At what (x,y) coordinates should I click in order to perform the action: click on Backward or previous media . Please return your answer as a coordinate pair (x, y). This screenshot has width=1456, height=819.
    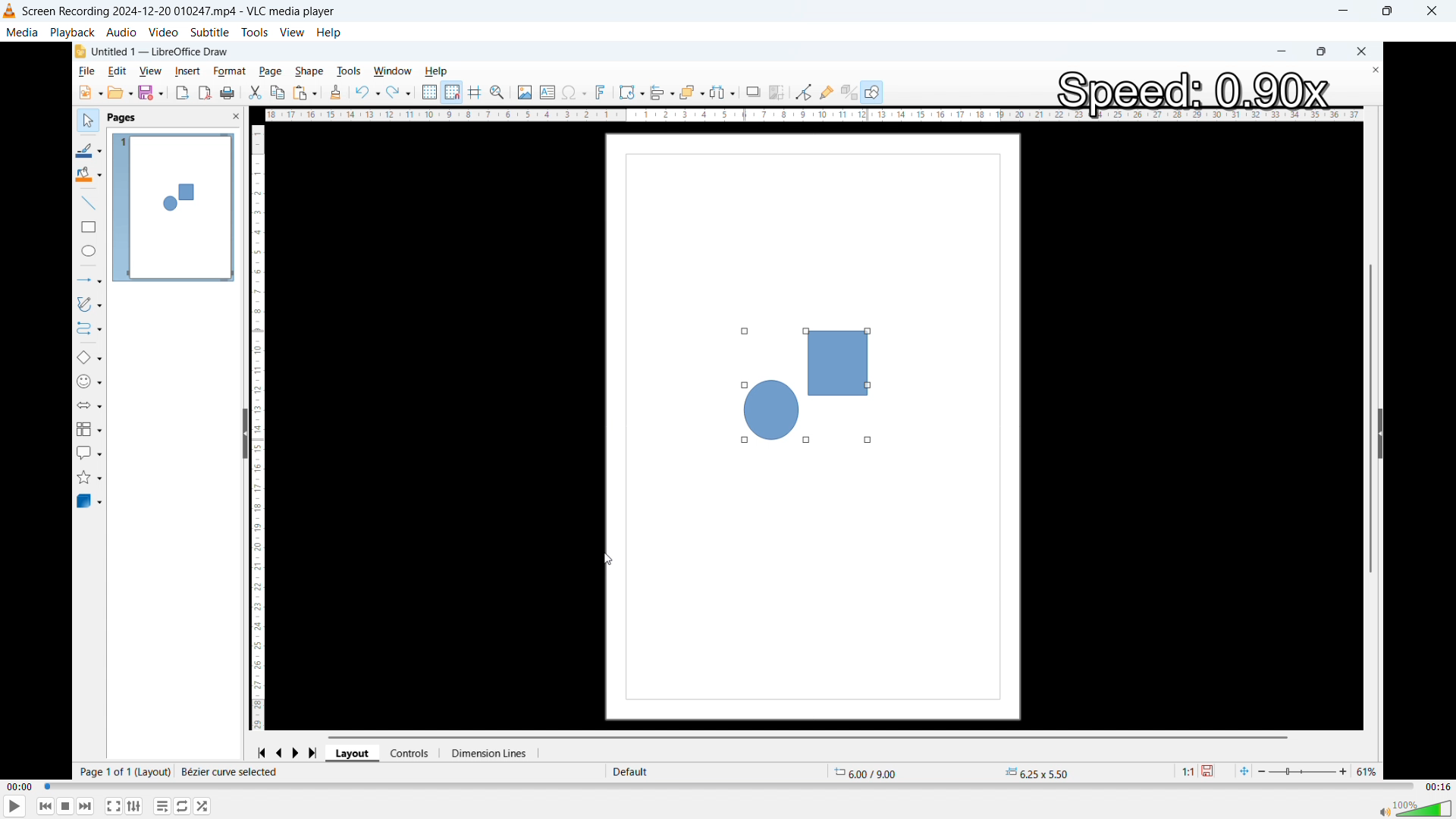
    Looking at the image, I should click on (45, 806).